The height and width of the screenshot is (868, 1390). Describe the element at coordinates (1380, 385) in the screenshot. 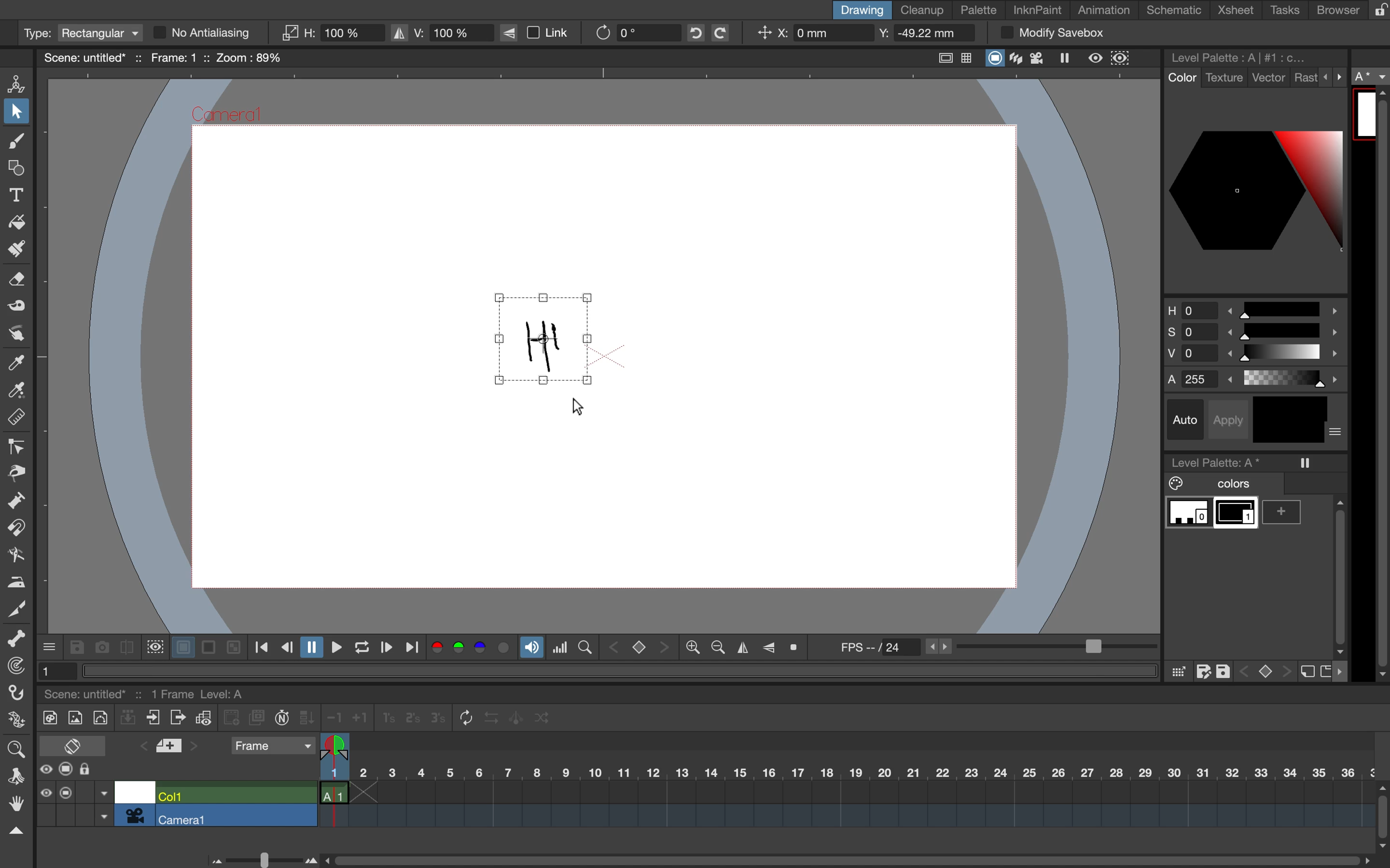

I see `sidebar vertical scroll bar` at that location.